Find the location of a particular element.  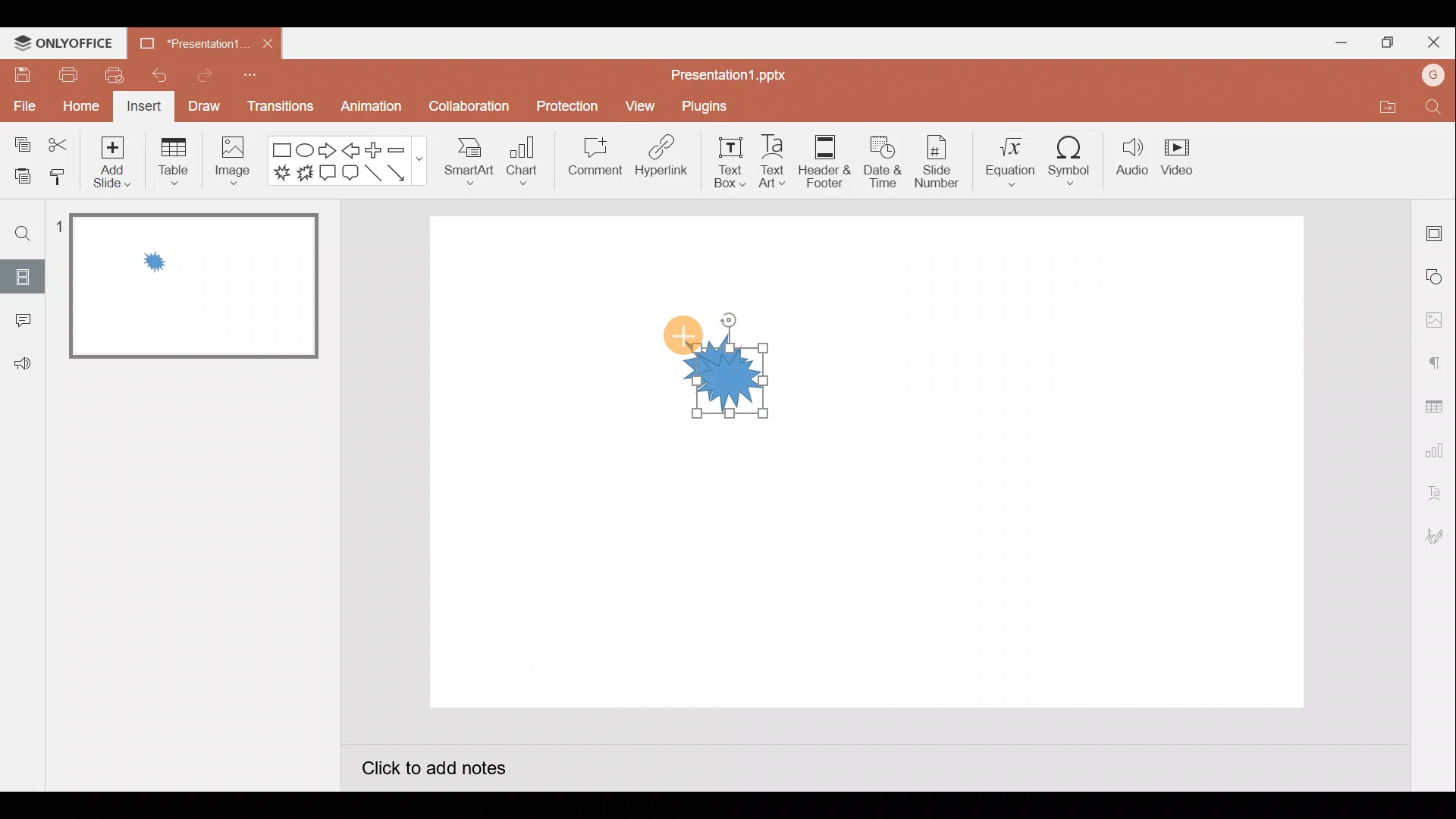

Open file location is located at coordinates (1379, 107).